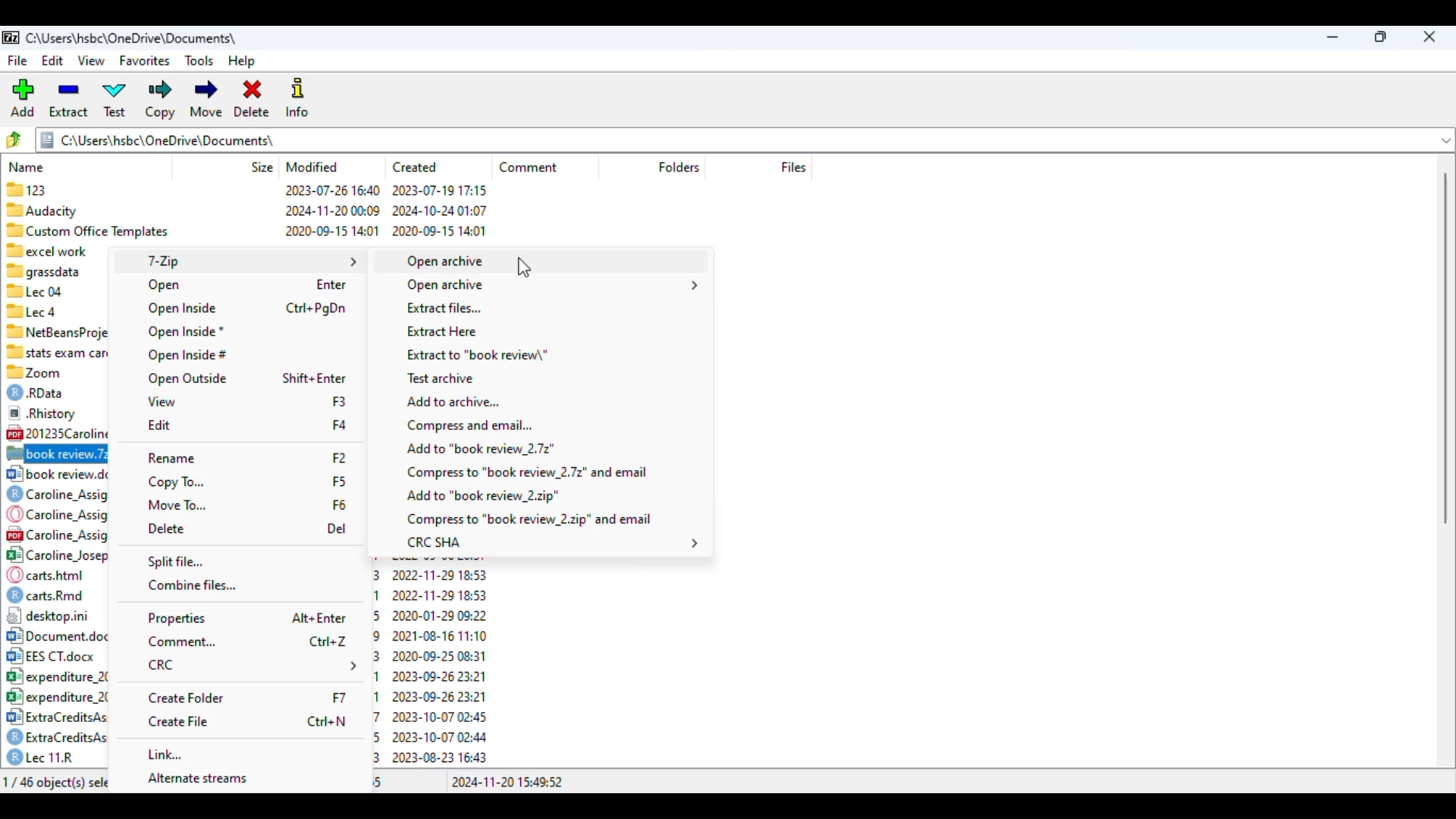  I want to click on delete, so click(167, 529).